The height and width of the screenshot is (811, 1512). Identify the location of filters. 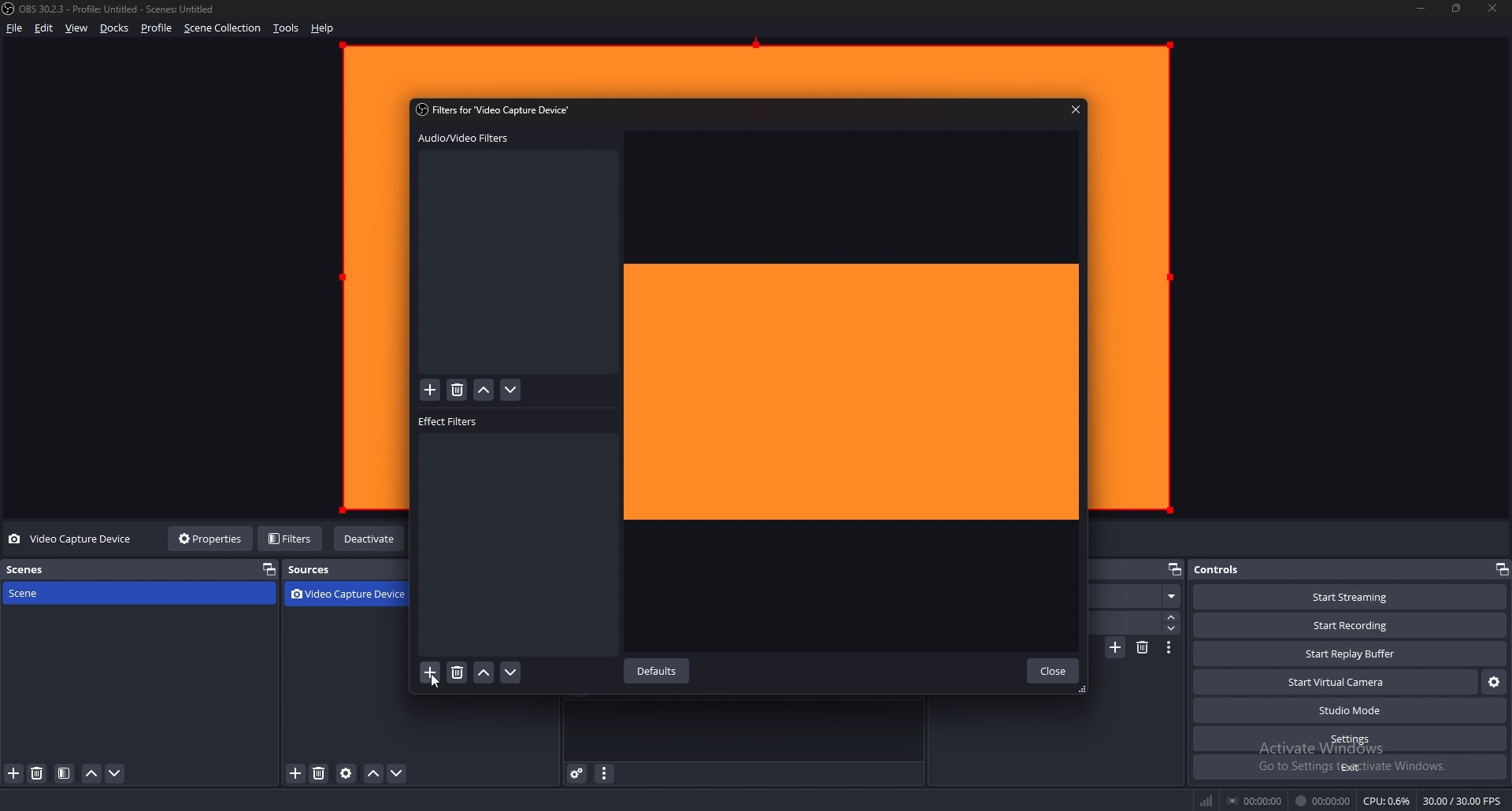
(291, 538).